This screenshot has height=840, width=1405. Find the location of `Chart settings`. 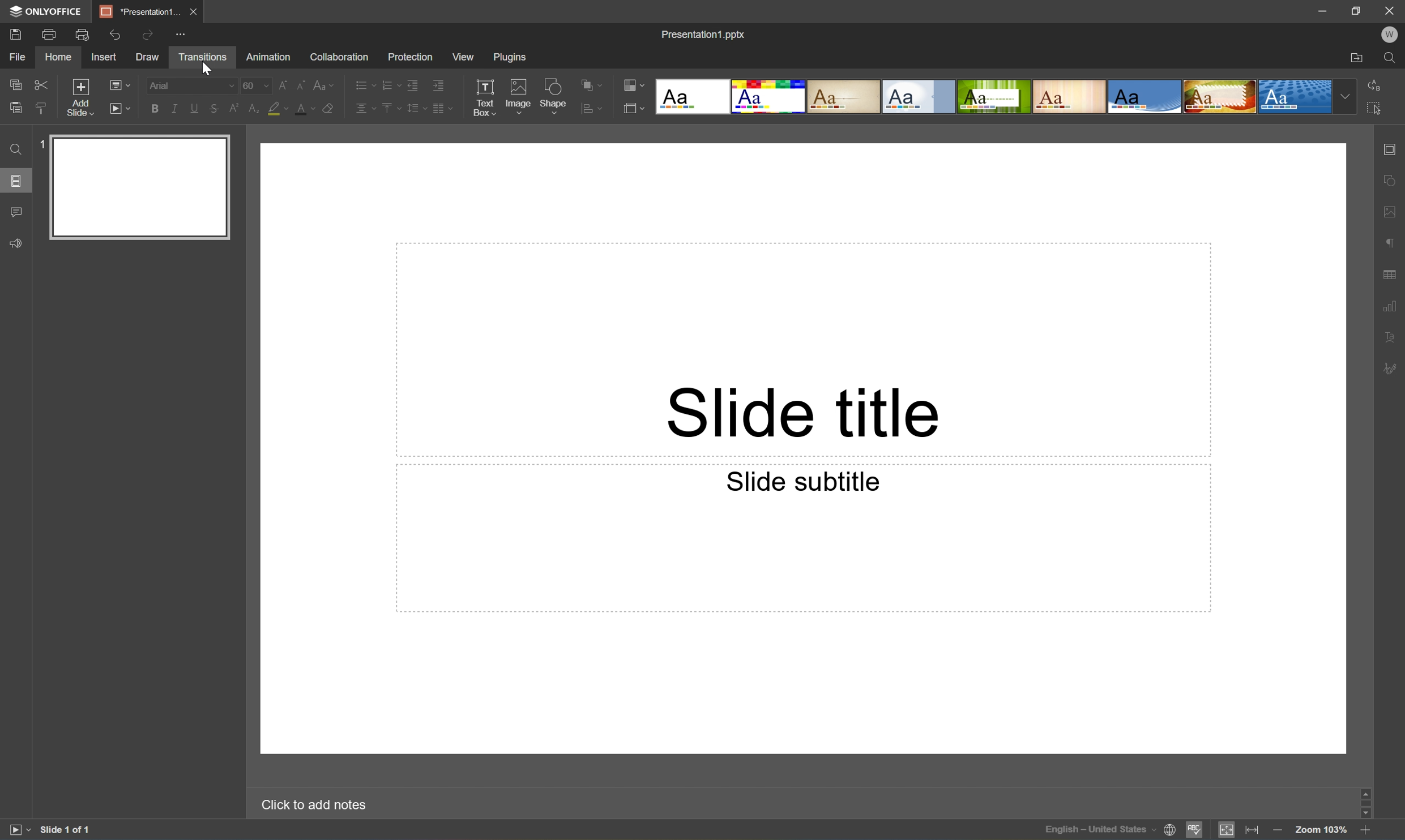

Chart settings is located at coordinates (1392, 310).